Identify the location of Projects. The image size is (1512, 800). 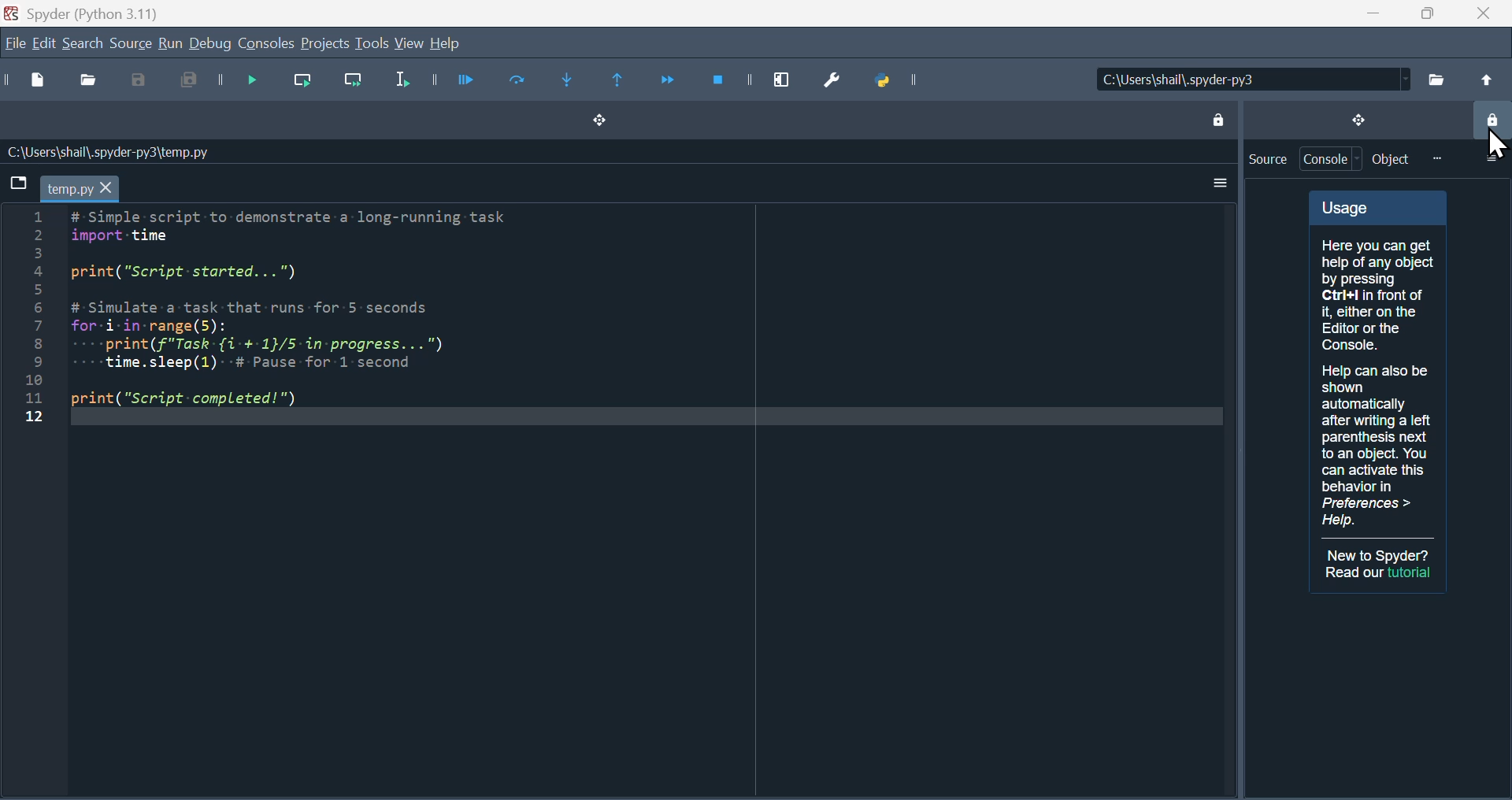
(324, 44).